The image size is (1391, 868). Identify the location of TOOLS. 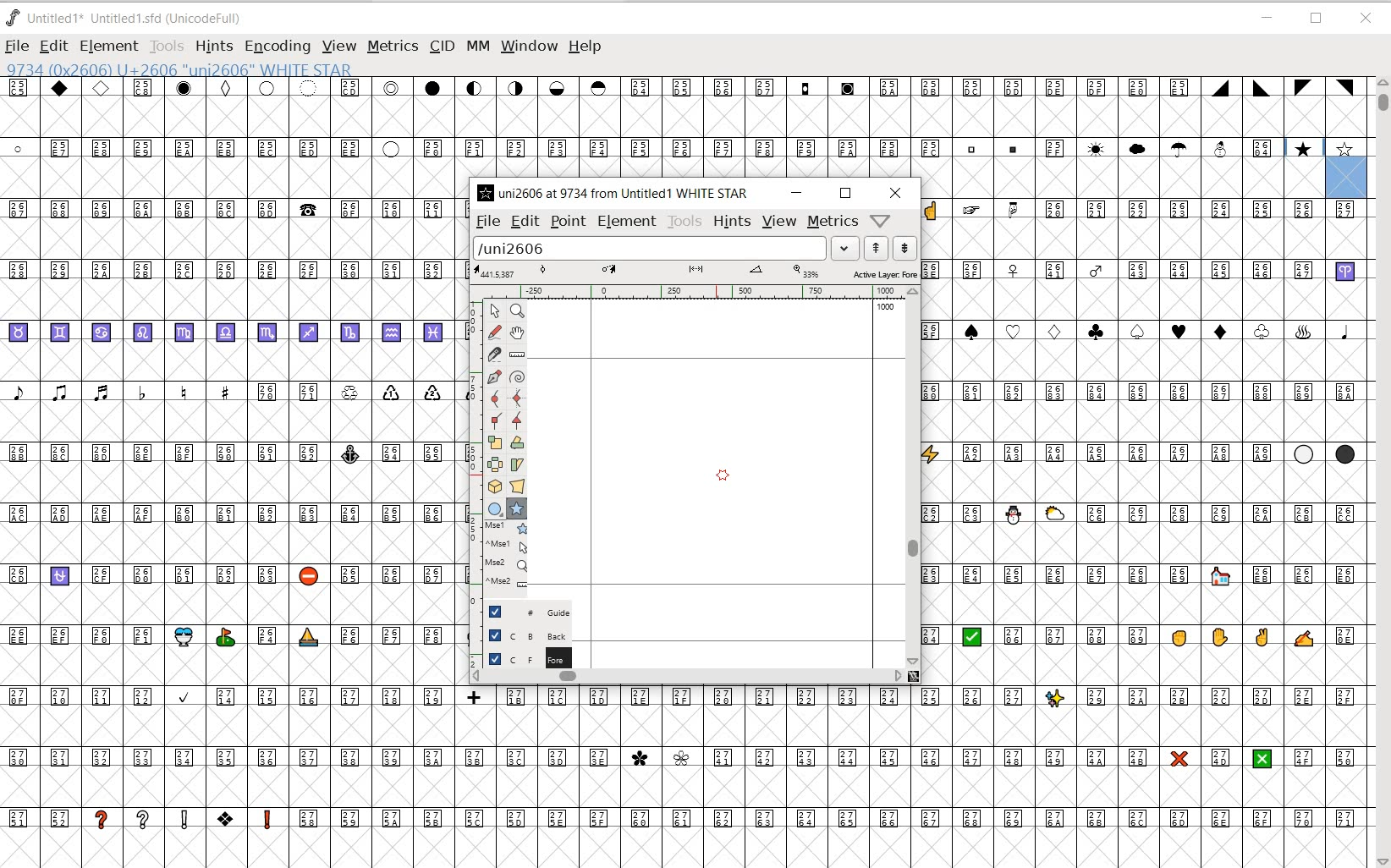
(684, 222).